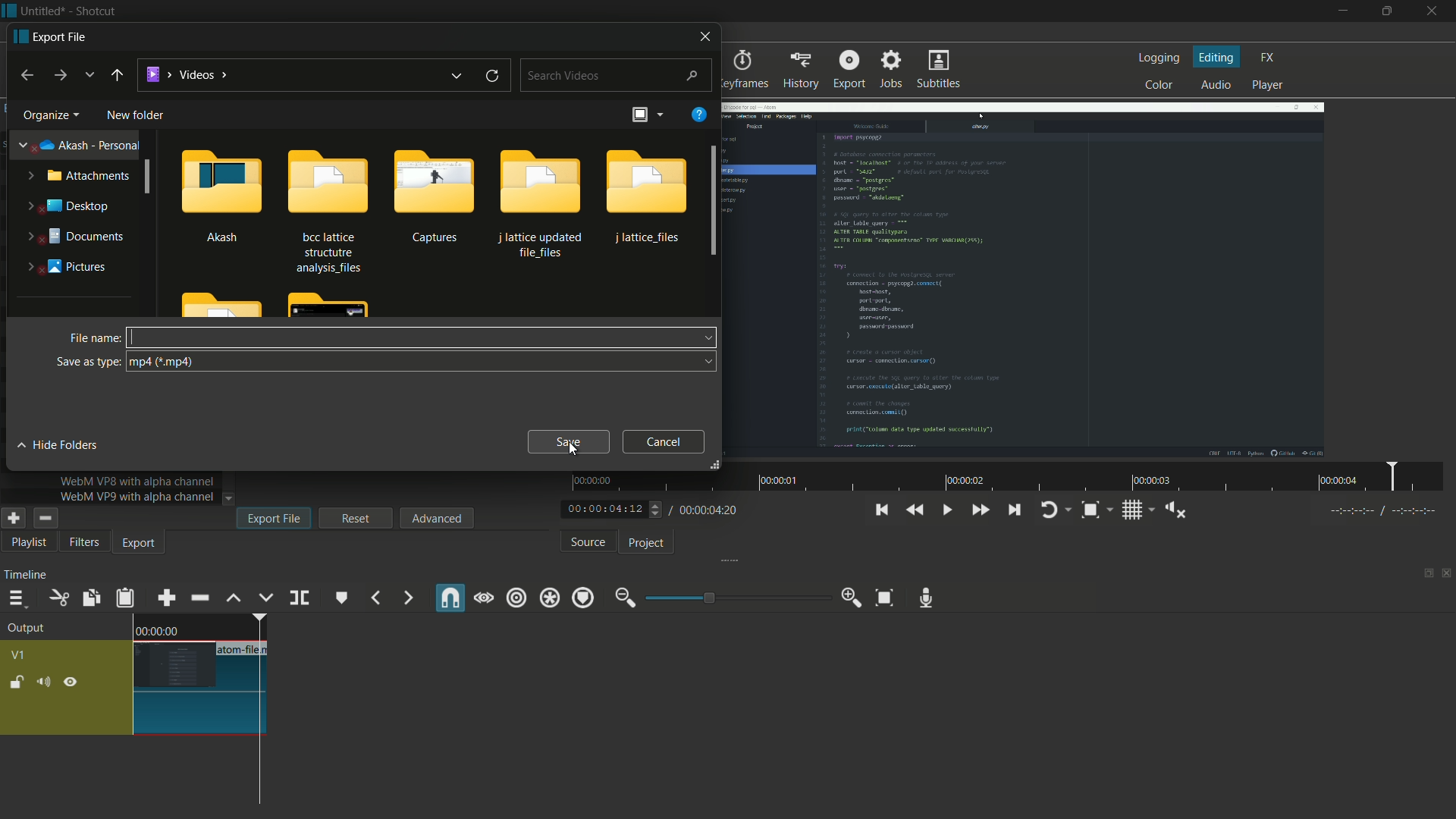 Image resolution: width=1456 pixels, height=819 pixels. Describe the element at coordinates (709, 510) in the screenshot. I see `total time` at that location.